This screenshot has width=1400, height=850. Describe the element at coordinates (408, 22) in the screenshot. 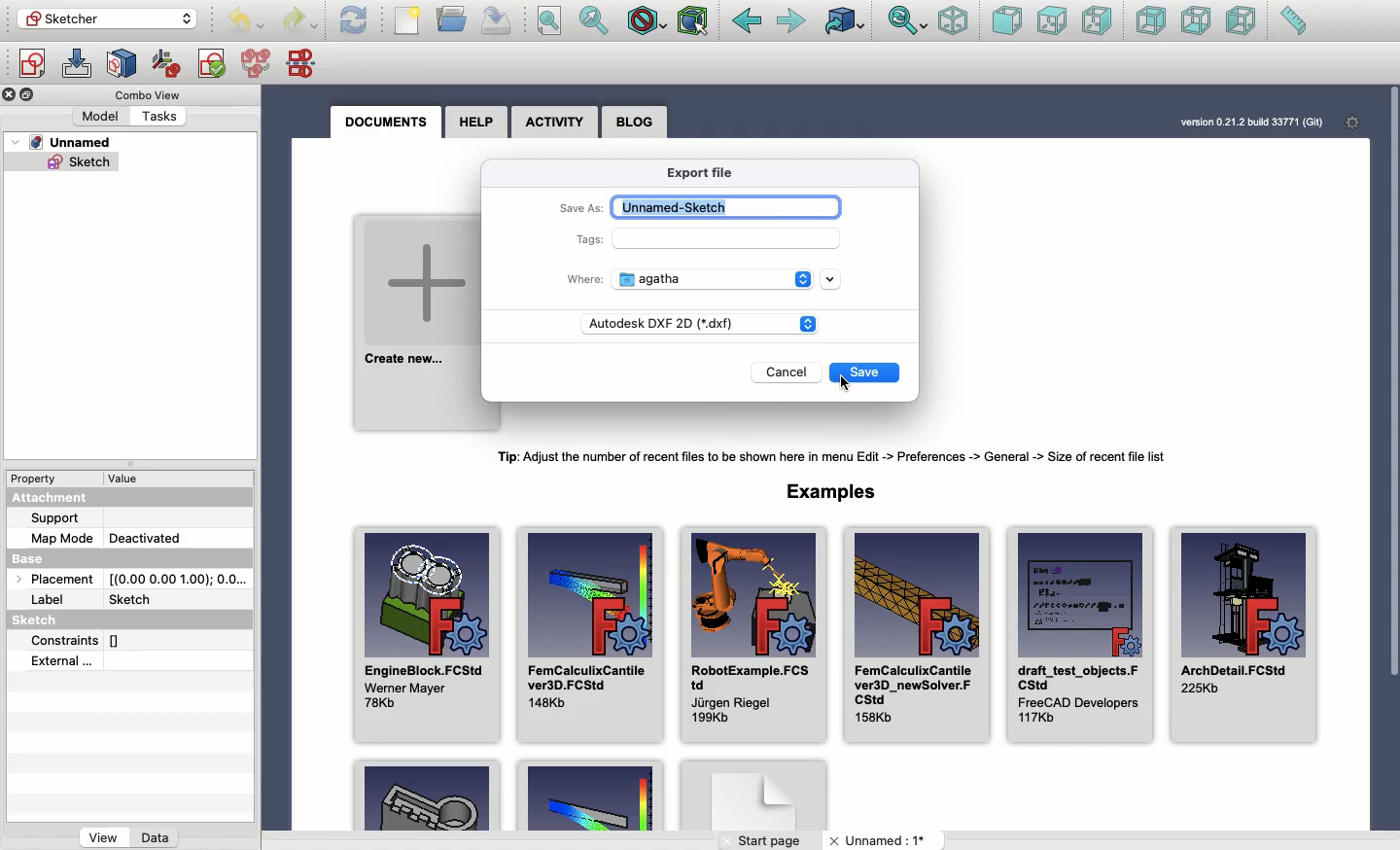

I see `File` at that location.